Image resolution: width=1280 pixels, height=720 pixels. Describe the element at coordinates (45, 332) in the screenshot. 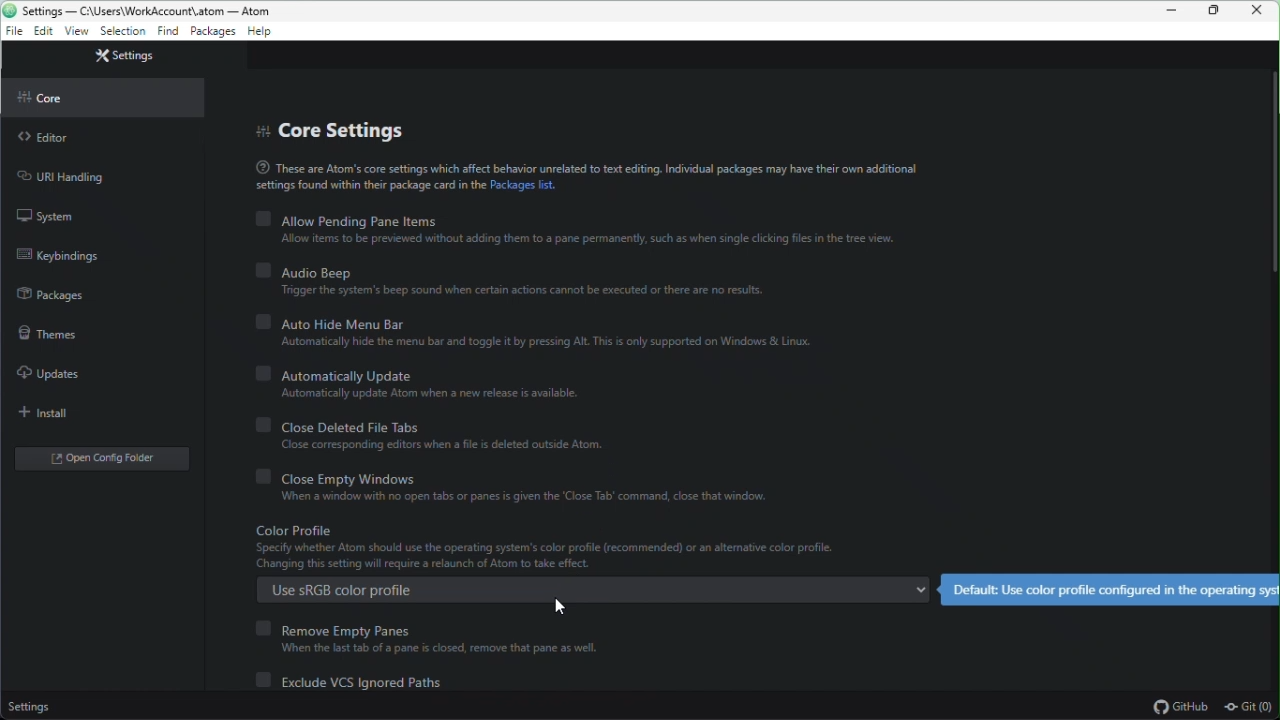

I see `Themes` at that location.